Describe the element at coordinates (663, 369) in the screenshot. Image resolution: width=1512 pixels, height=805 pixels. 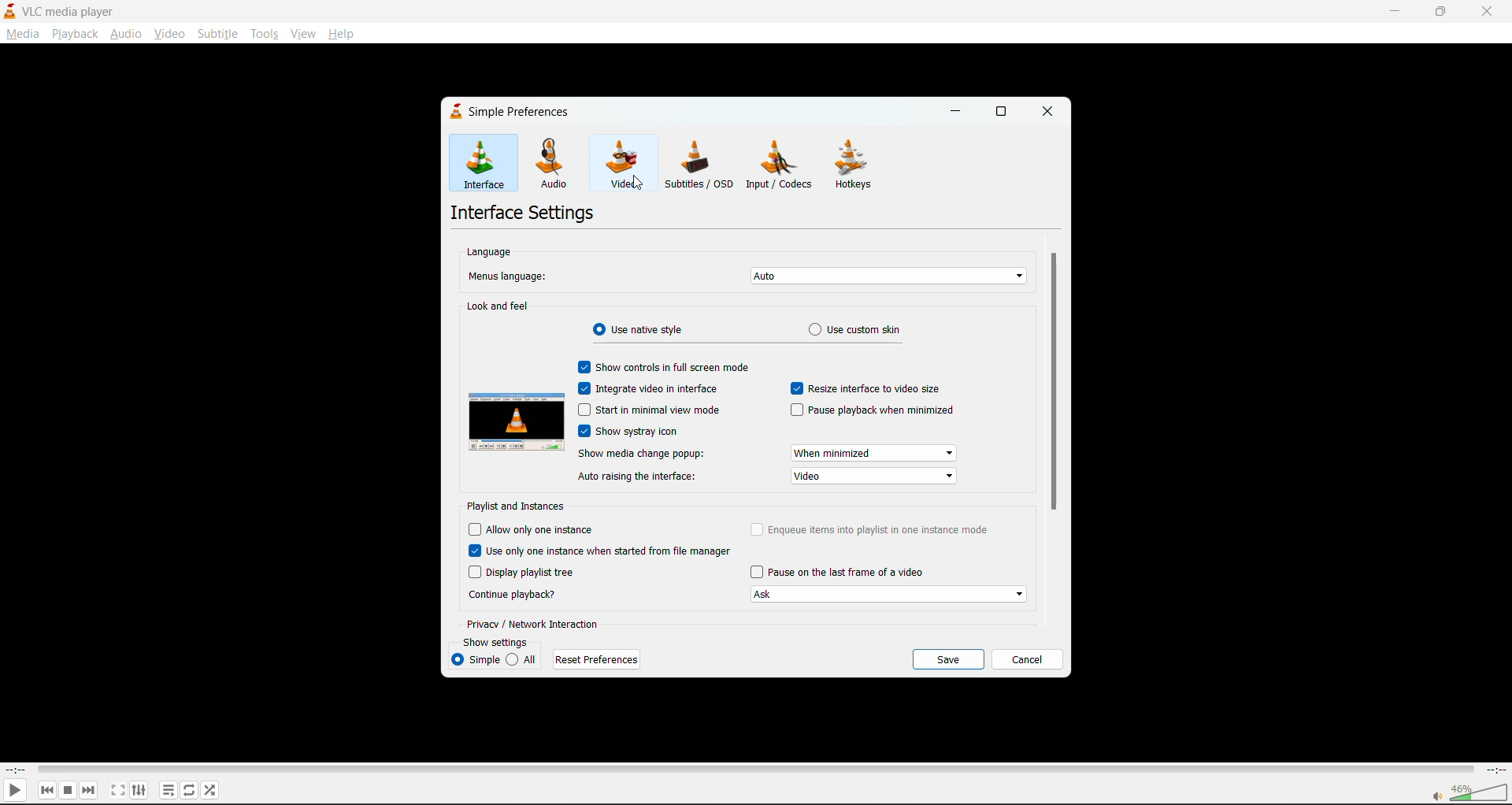
I see `show controls in fullscreen mode` at that location.